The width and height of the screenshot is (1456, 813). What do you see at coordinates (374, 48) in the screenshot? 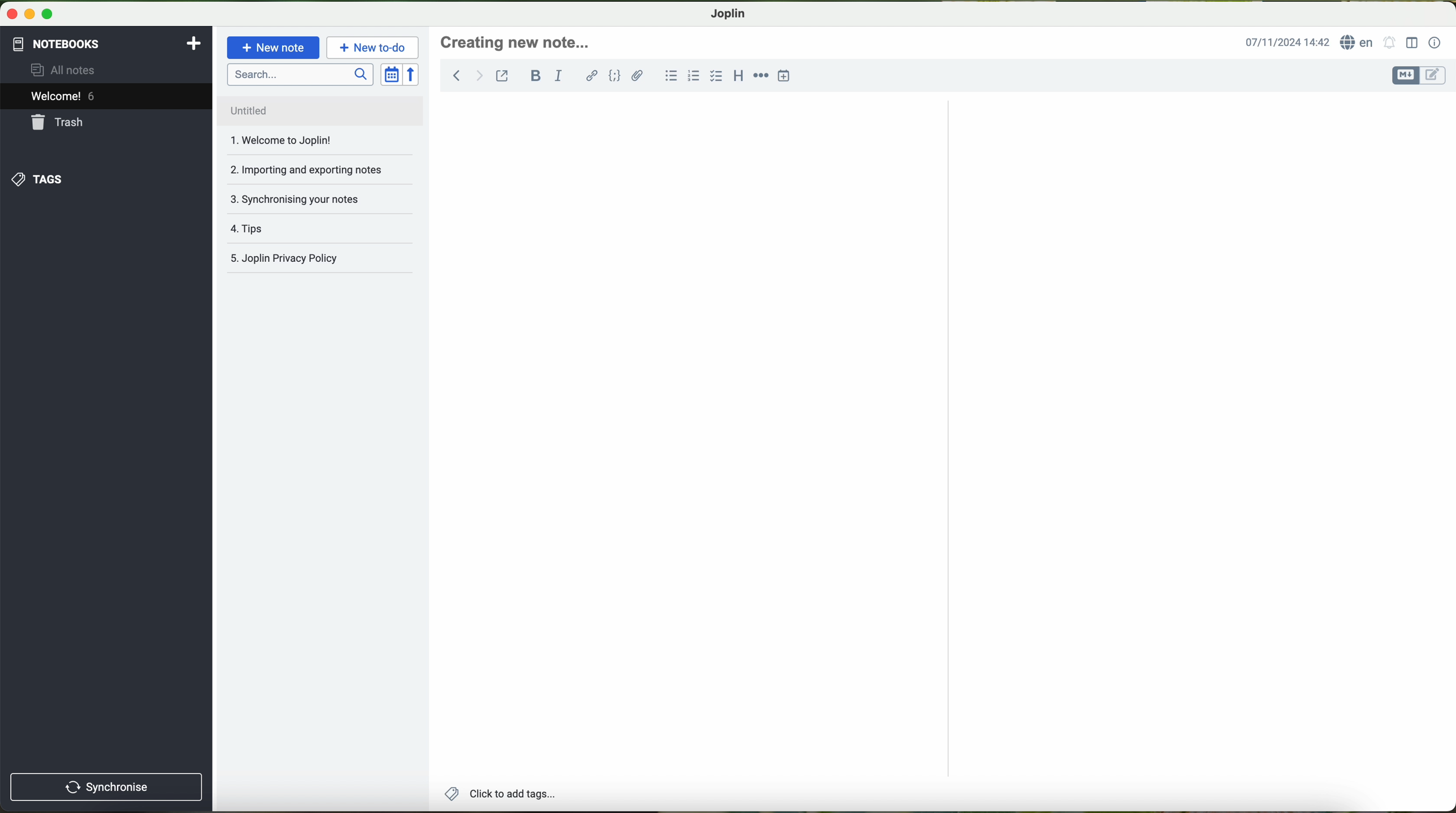
I see `new to-do` at bounding box center [374, 48].